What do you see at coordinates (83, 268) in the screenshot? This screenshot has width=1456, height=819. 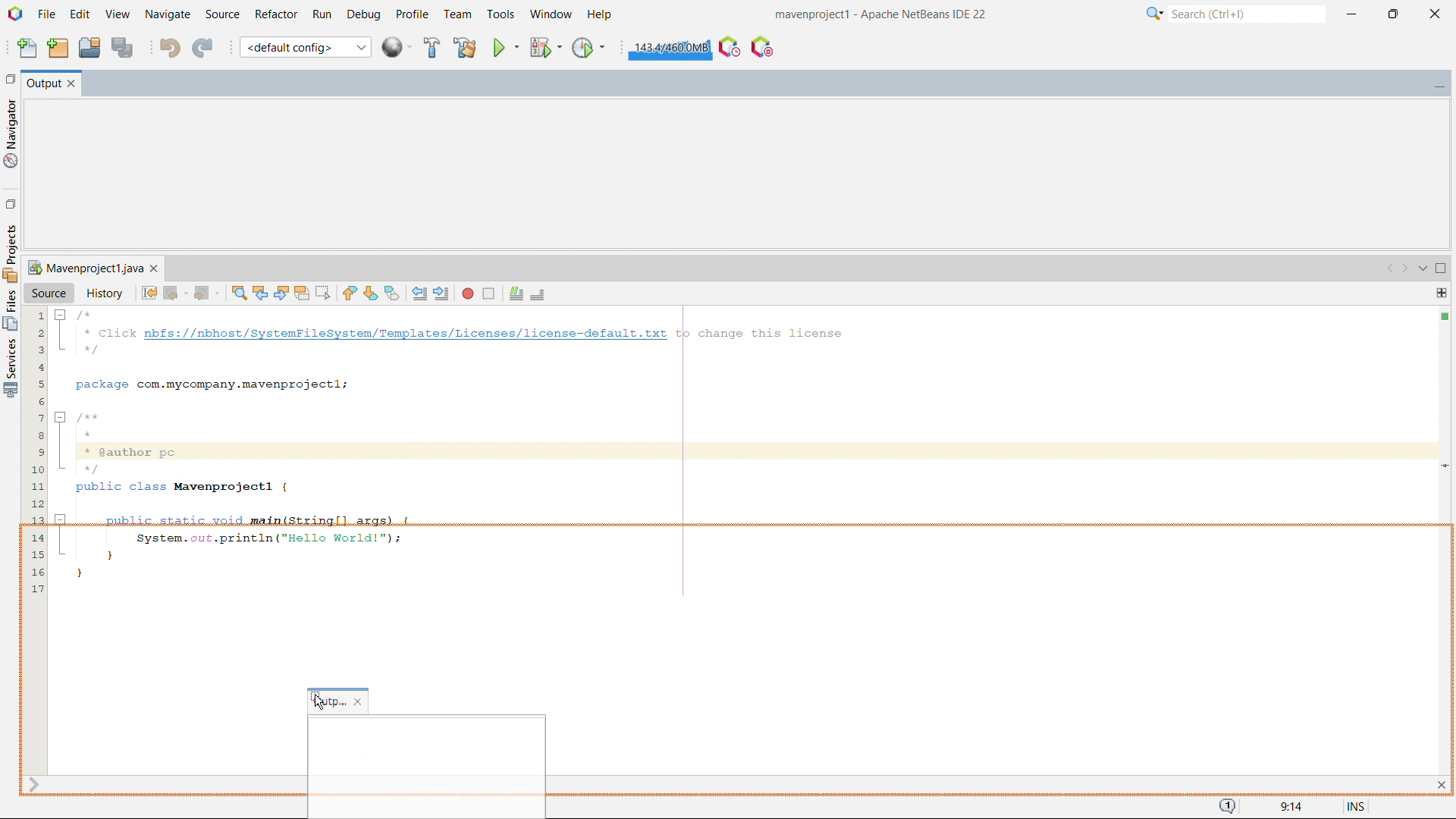 I see `project window` at bounding box center [83, 268].